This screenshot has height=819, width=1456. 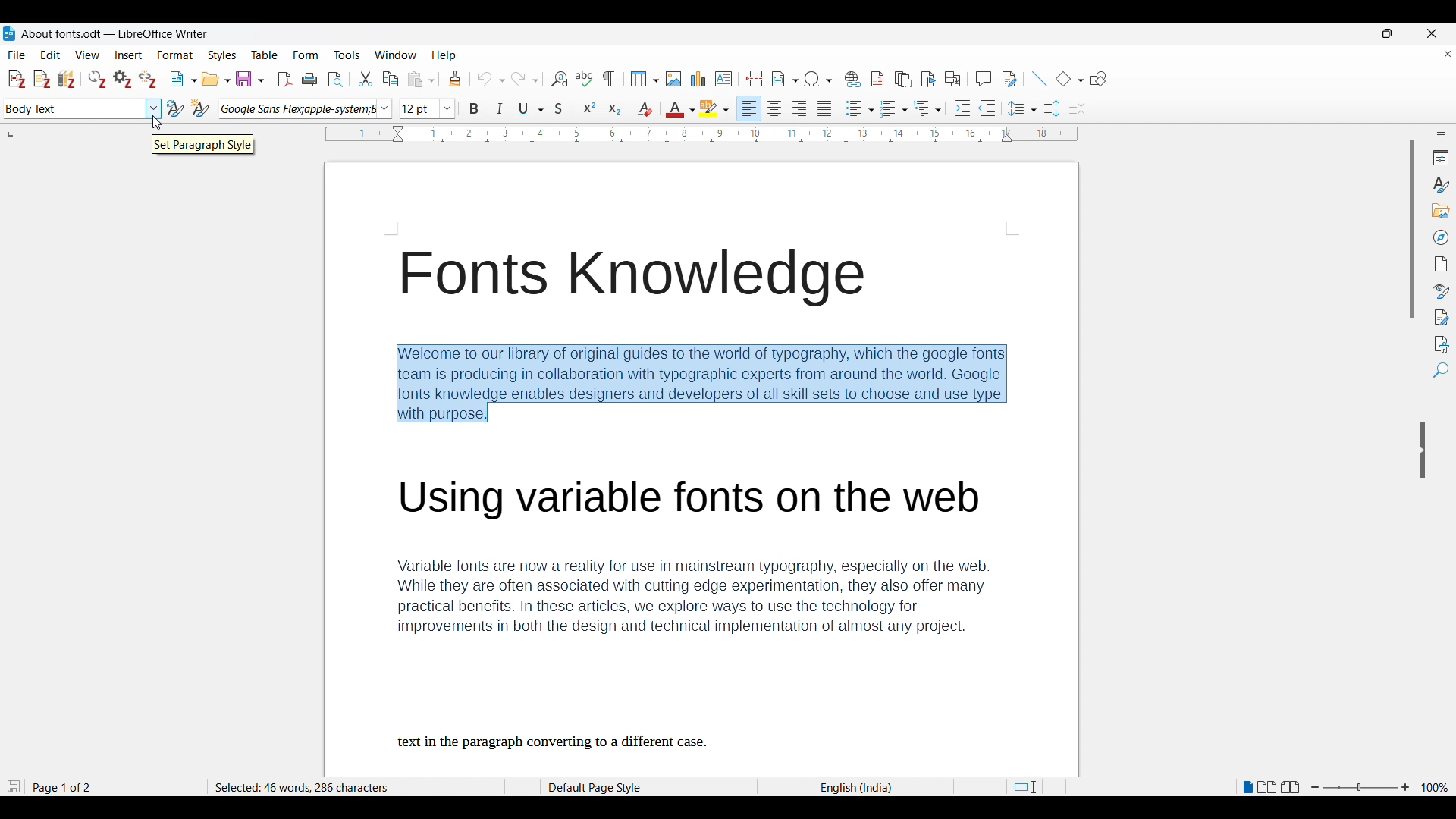 What do you see at coordinates (1442, 318) in the screenshot?
I see `Manage changes` at bounding box center [1442, 318].